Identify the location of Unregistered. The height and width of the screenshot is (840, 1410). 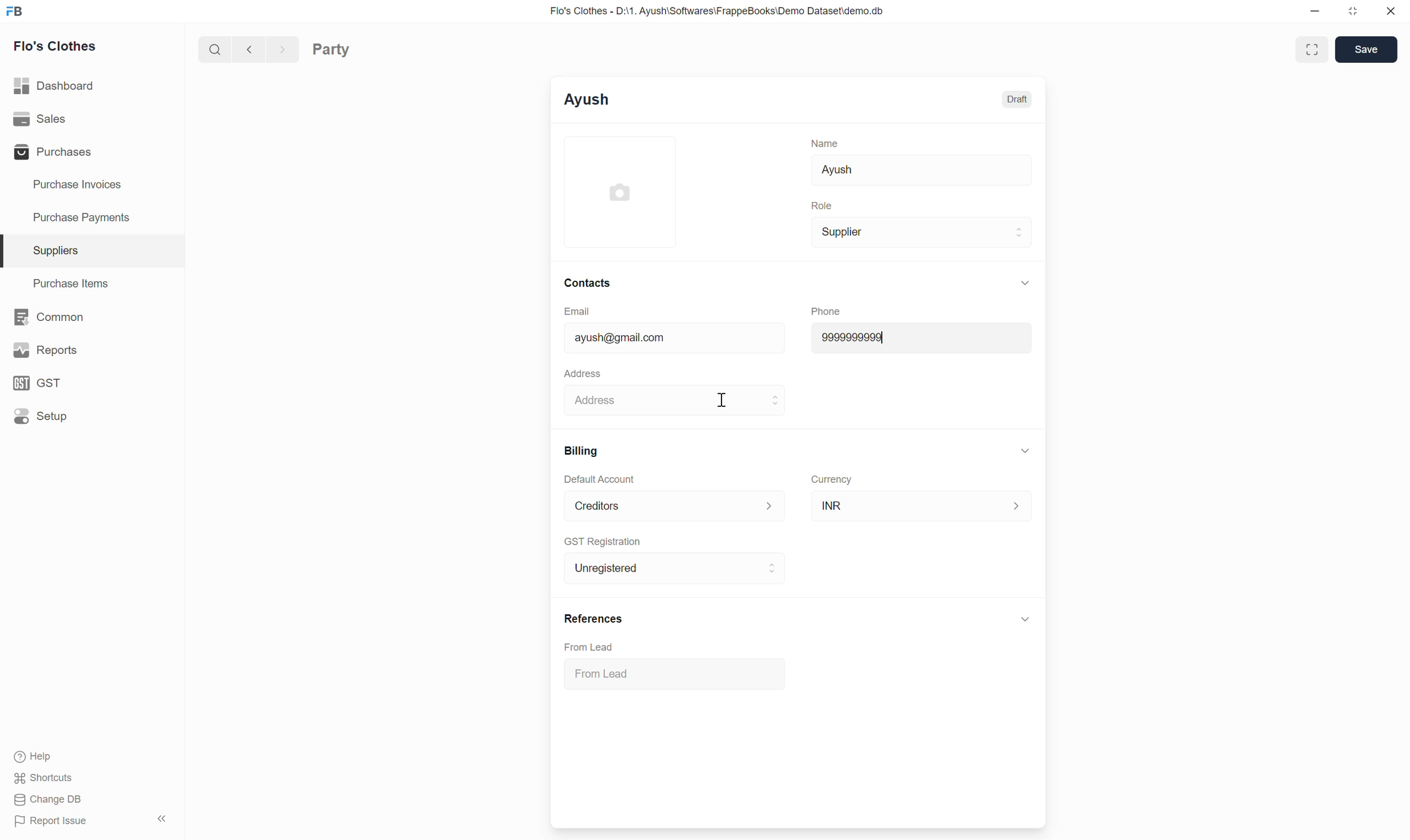
(675, 568).